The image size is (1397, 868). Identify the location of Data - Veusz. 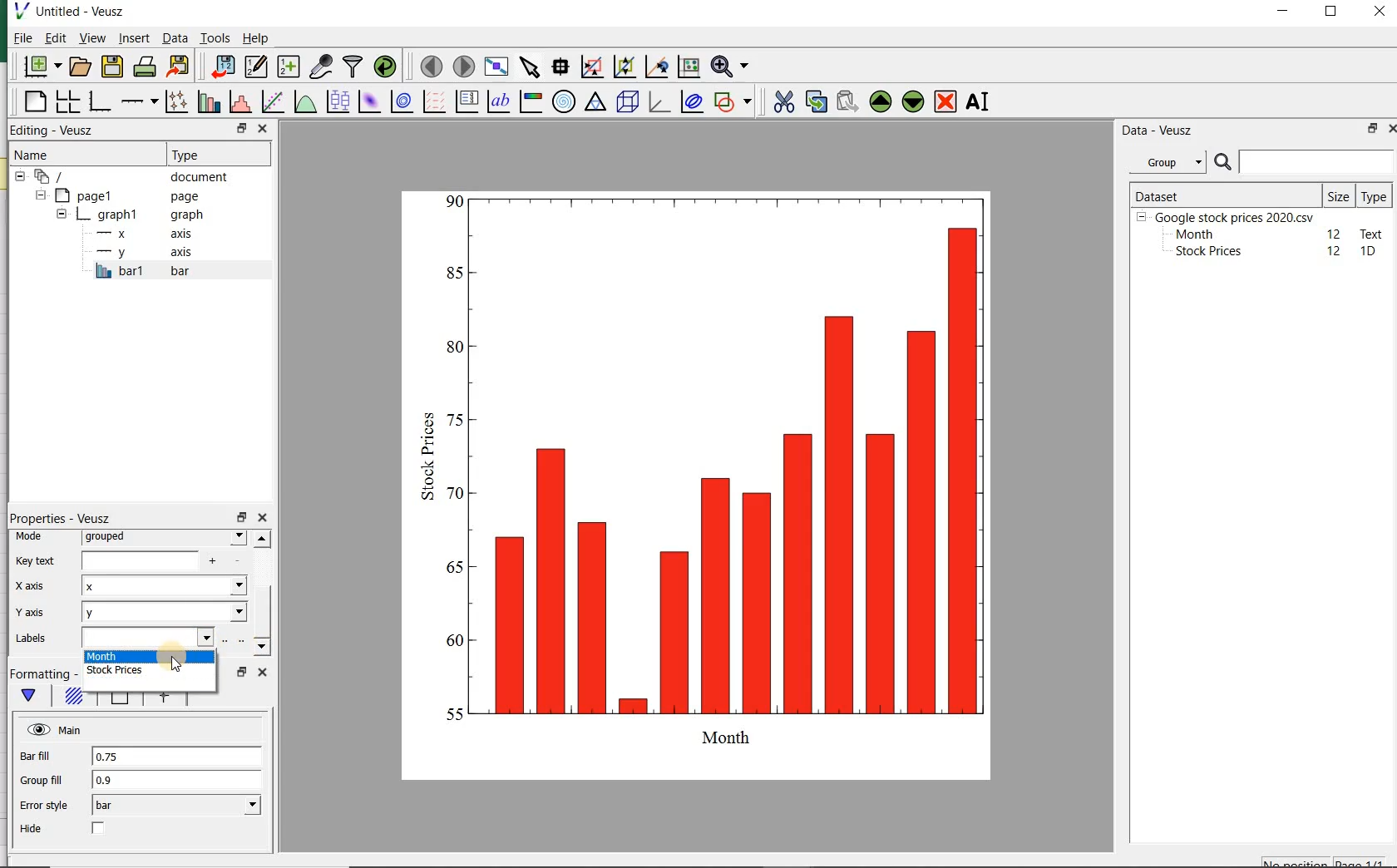
(1158, 130).